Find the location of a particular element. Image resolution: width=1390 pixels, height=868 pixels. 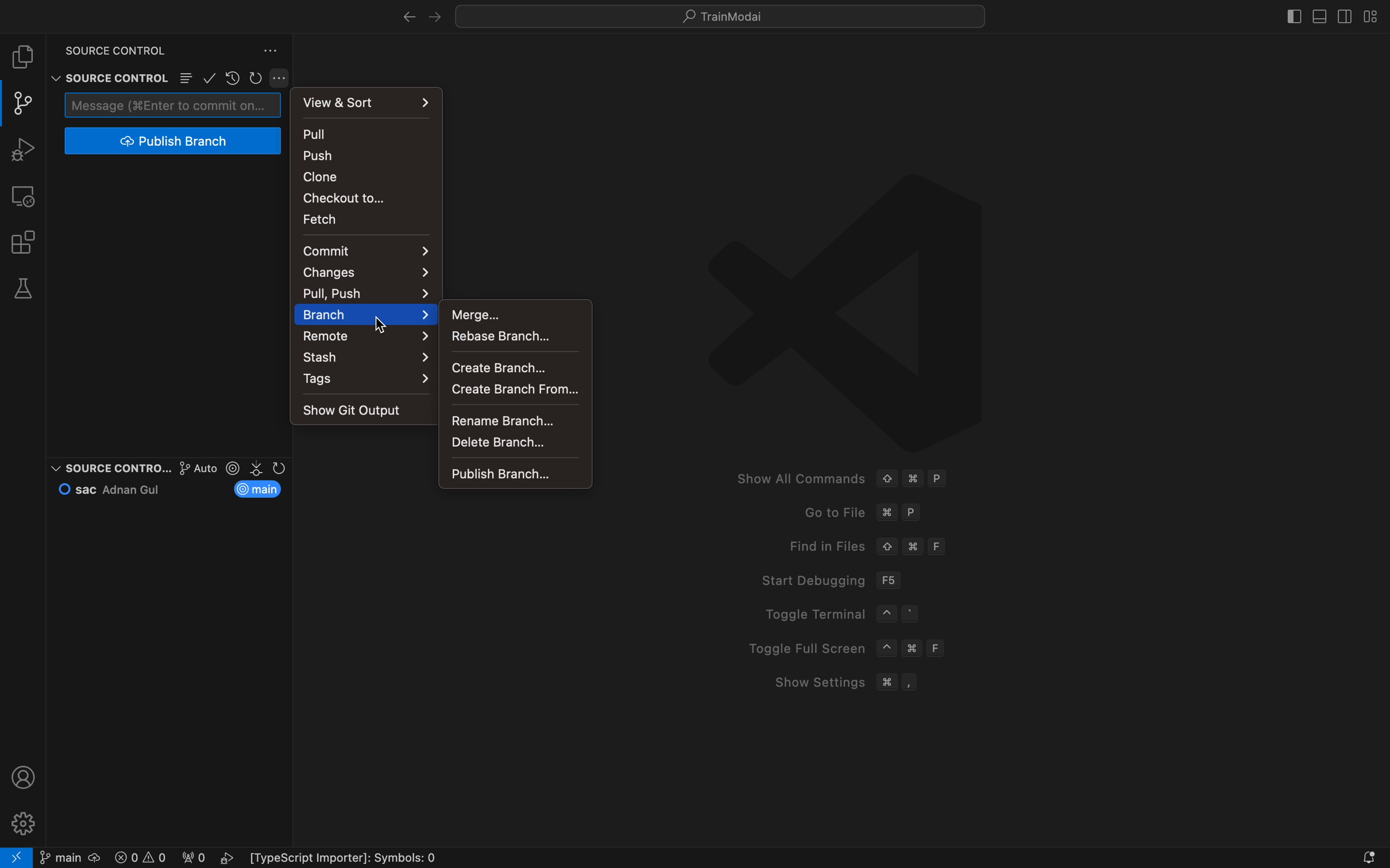

welcome screen is located at coordinates (968, 443).